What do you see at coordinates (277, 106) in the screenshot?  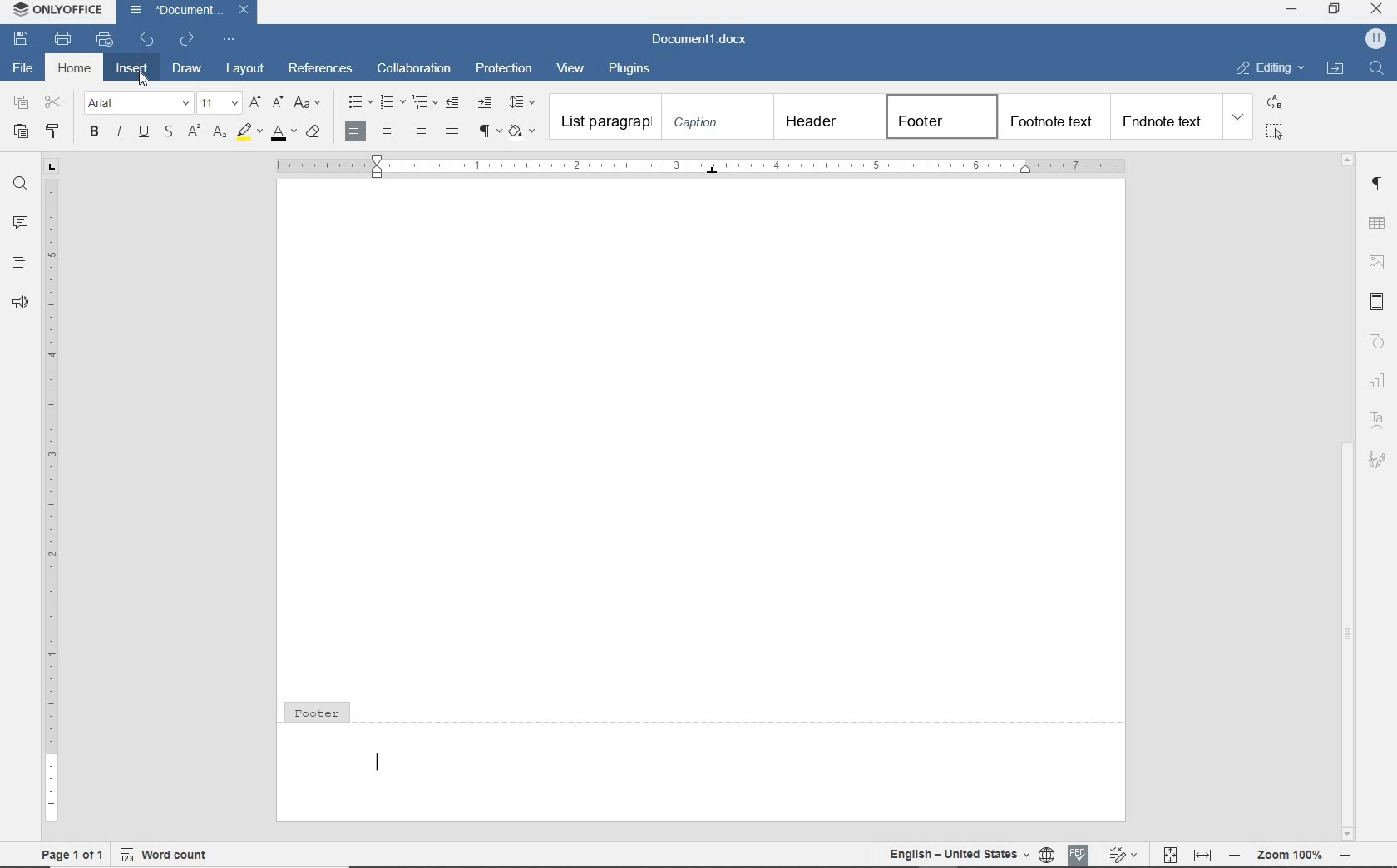 I see `decrement font size` at bounding box center [277, 106].